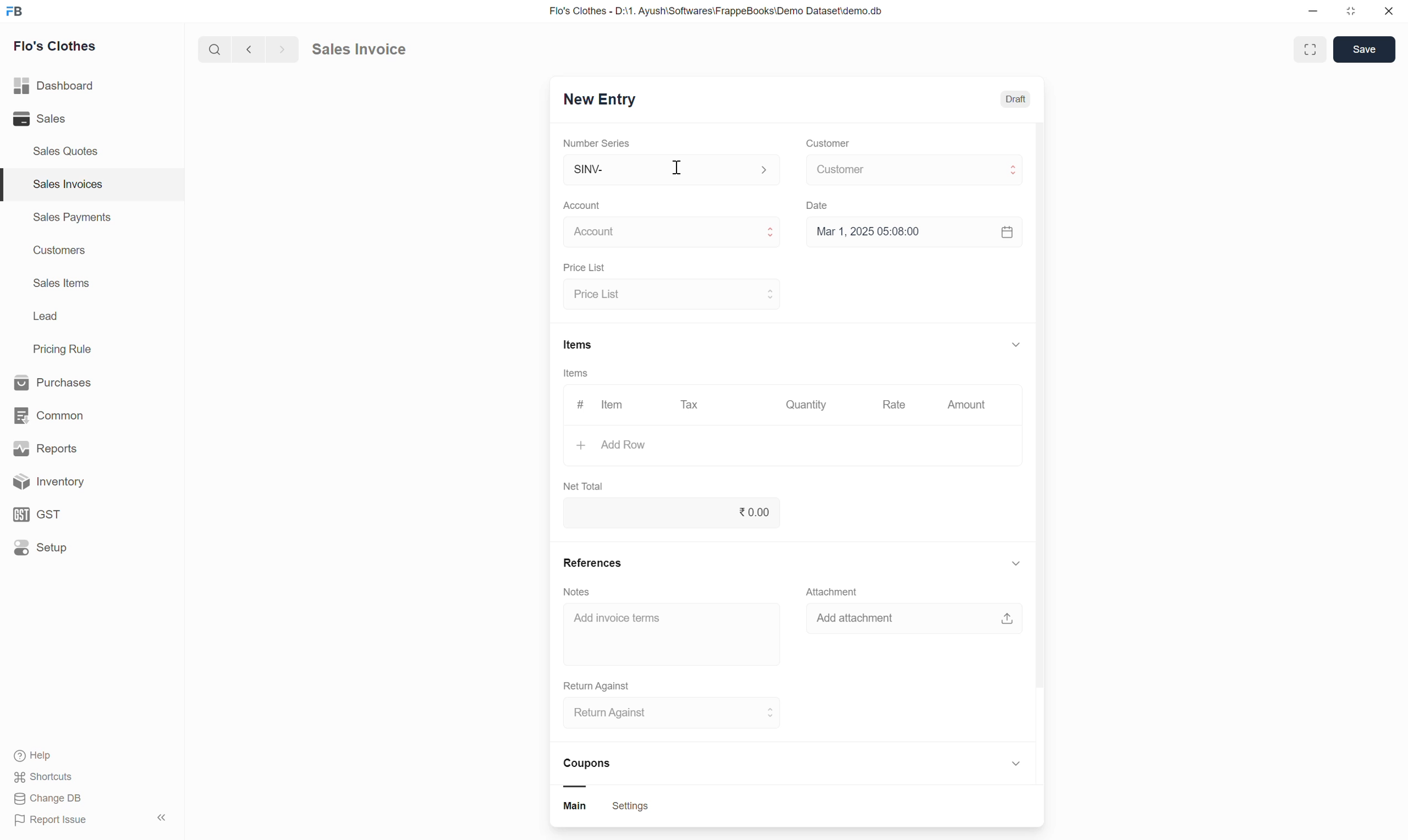 This screenshot has width=1408, height=840. I want to click on Quantity, so click(810, 406).